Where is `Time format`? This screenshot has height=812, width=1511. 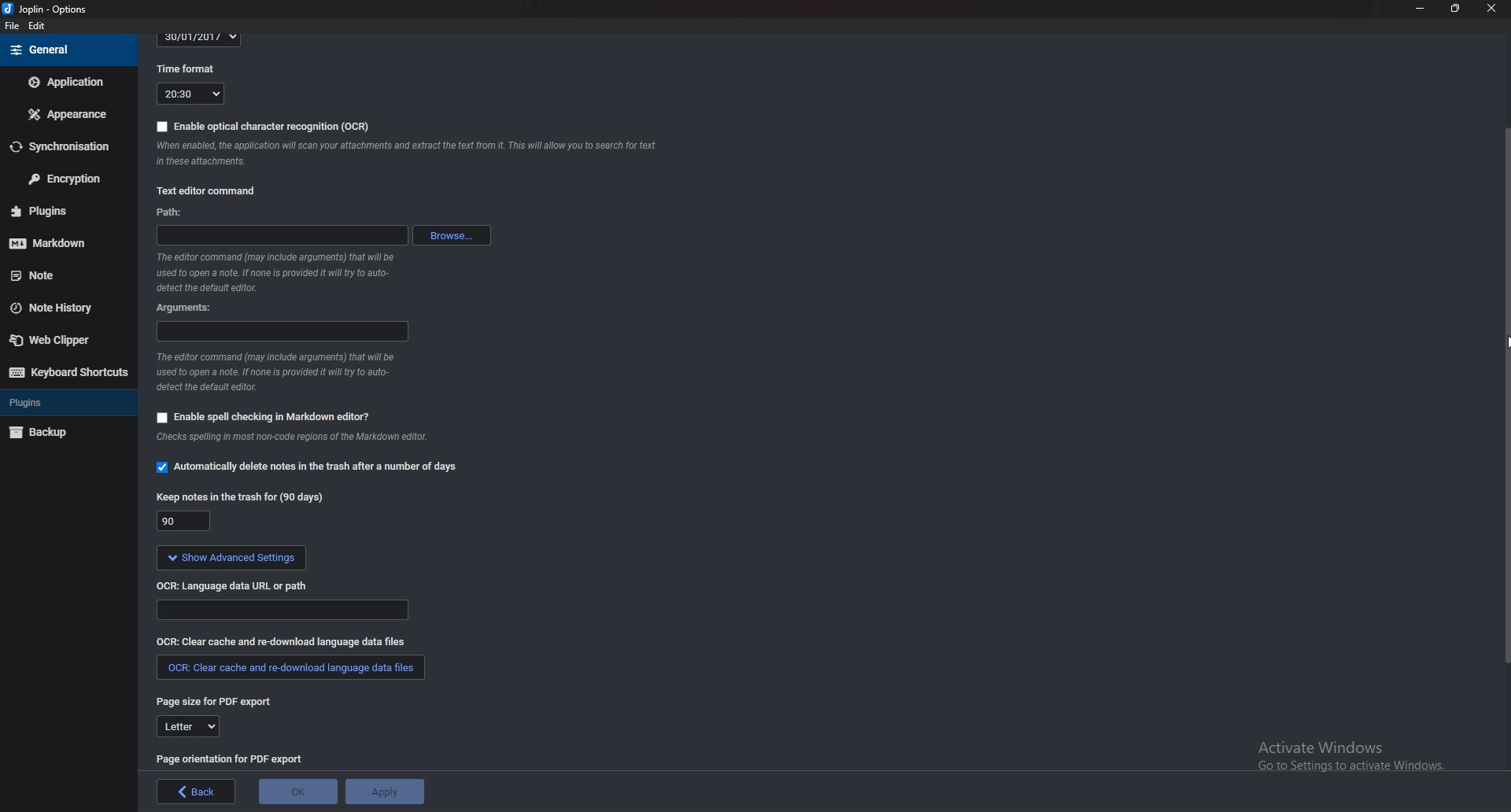
Time format is located at coordinates (191, 68).